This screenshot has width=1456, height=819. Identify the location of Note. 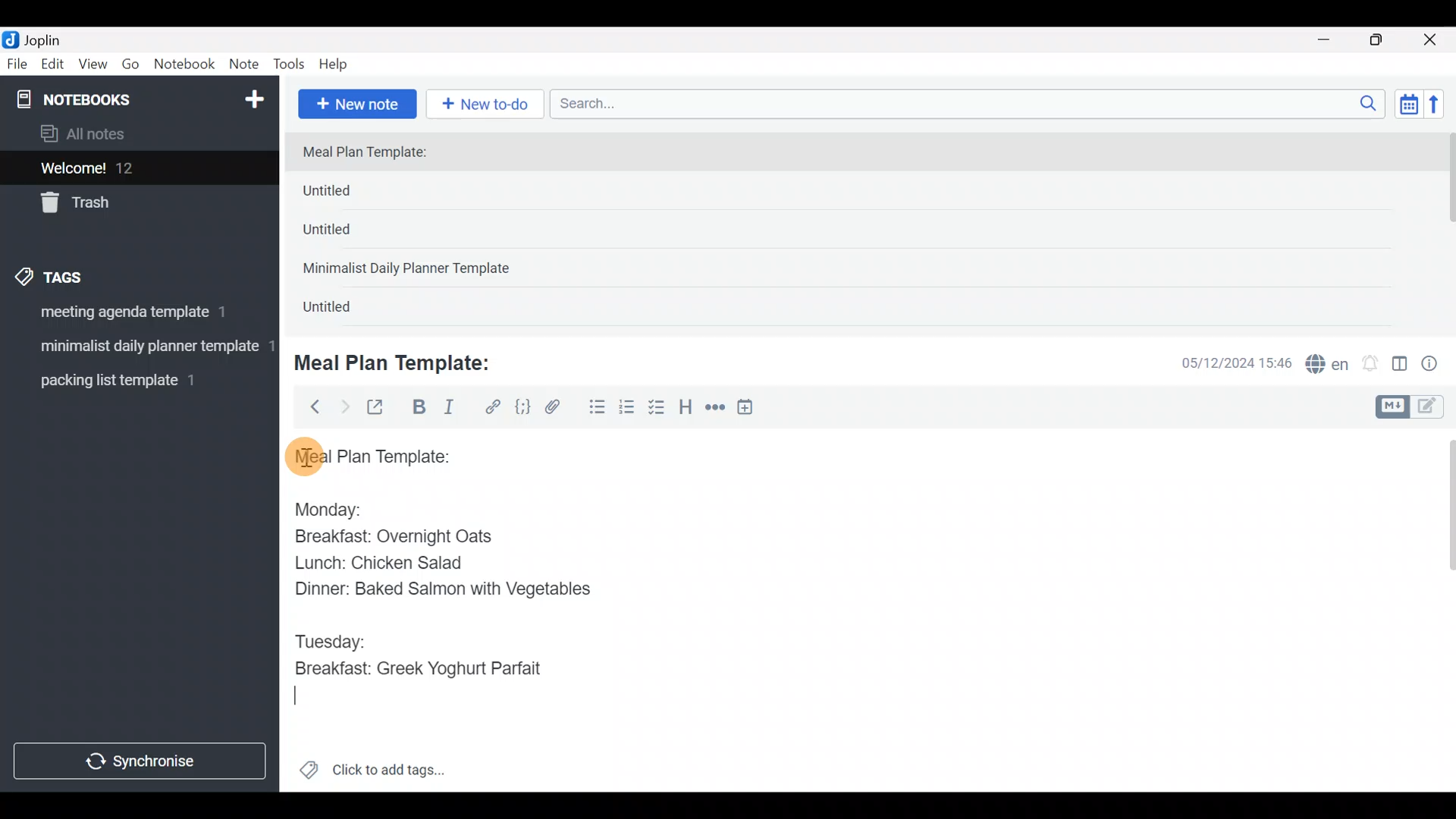
(247, 65).